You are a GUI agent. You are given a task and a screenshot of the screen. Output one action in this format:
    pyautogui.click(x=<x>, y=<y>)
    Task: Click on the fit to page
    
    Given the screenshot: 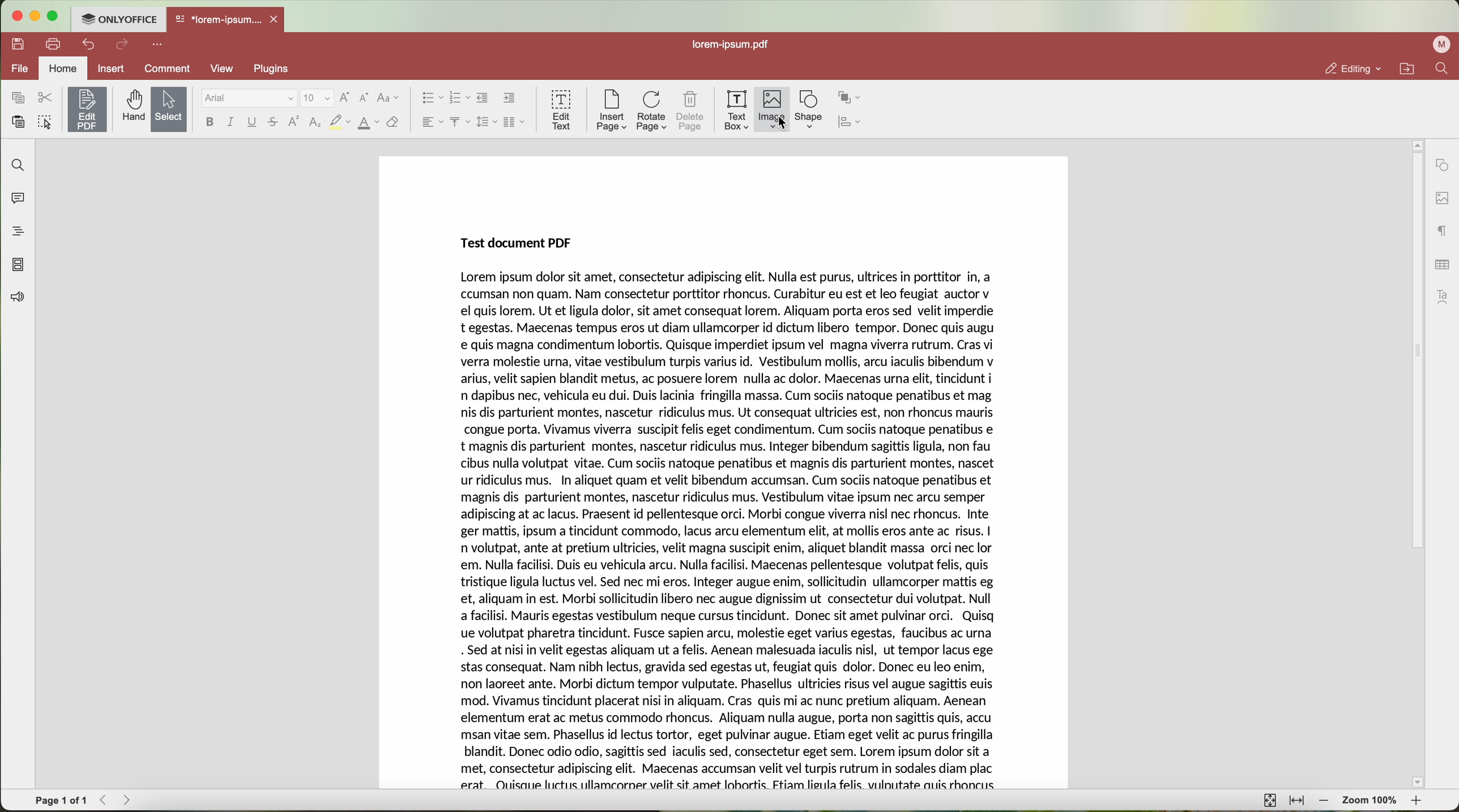 What is the action you would take?
    pyautogui.click(x=1268, y=800)
    